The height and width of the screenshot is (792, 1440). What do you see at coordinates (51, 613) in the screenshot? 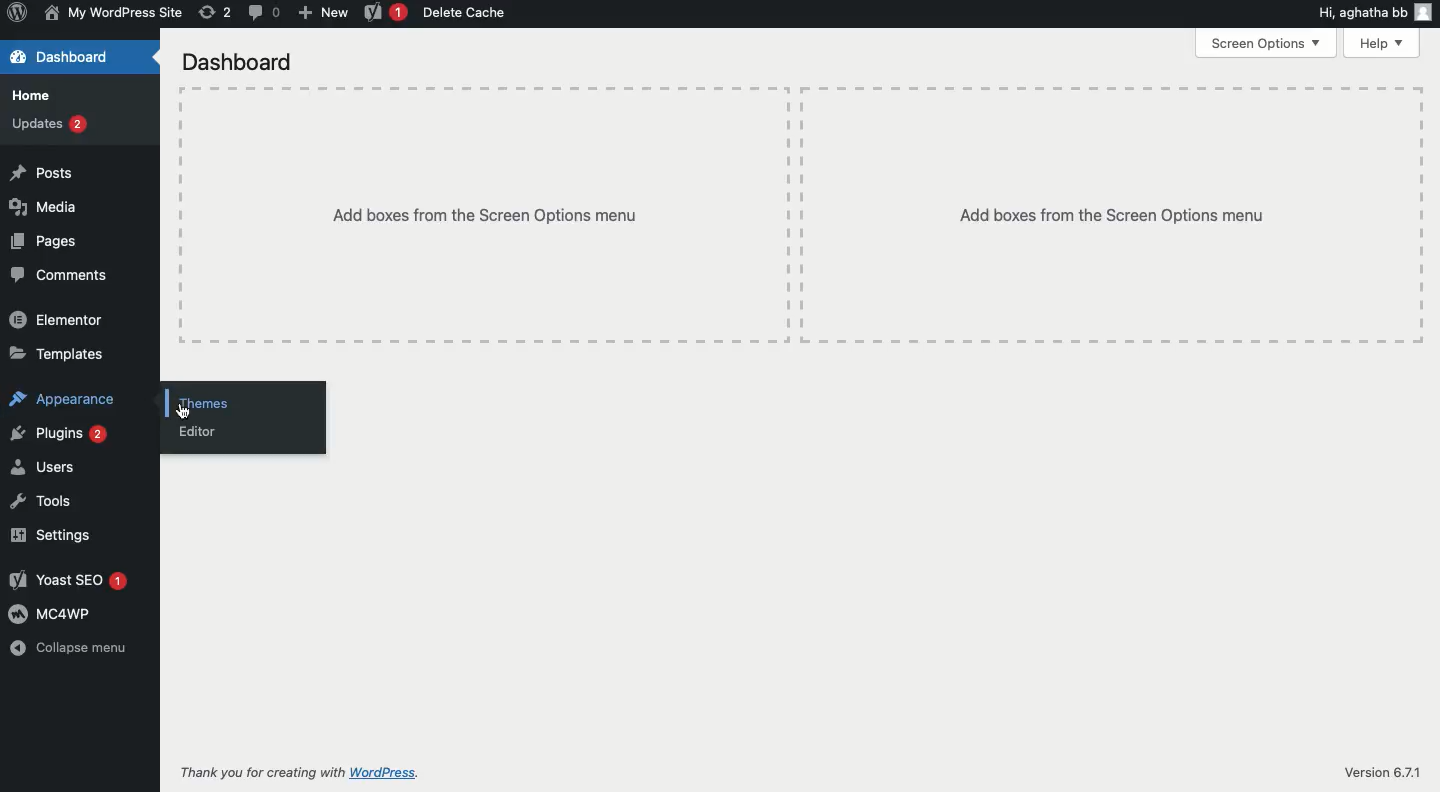
I see `MC4WP` at bounding box center [51, 613].